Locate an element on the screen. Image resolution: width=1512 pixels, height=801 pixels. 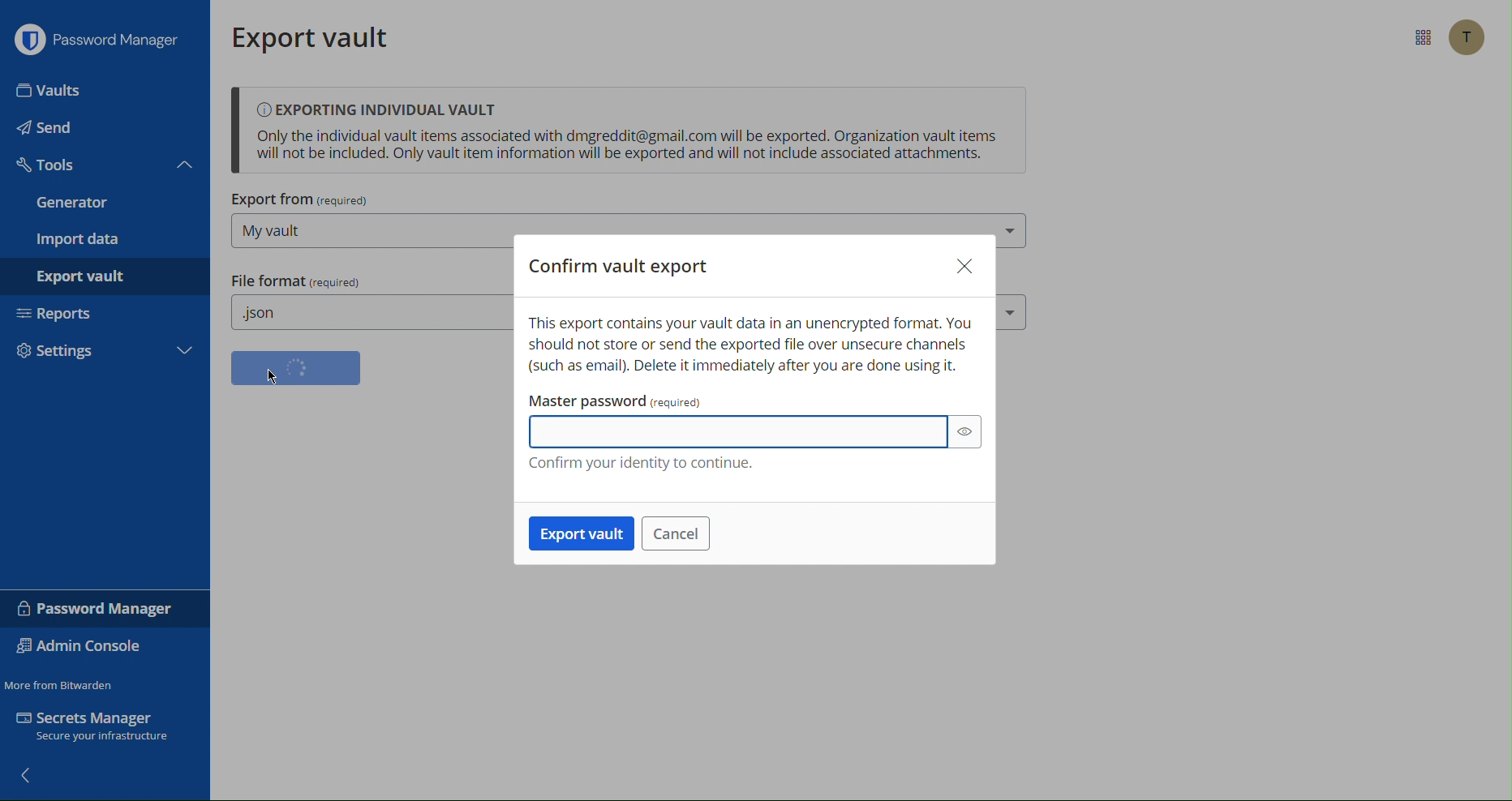
 is located at coordinates (102, 91).